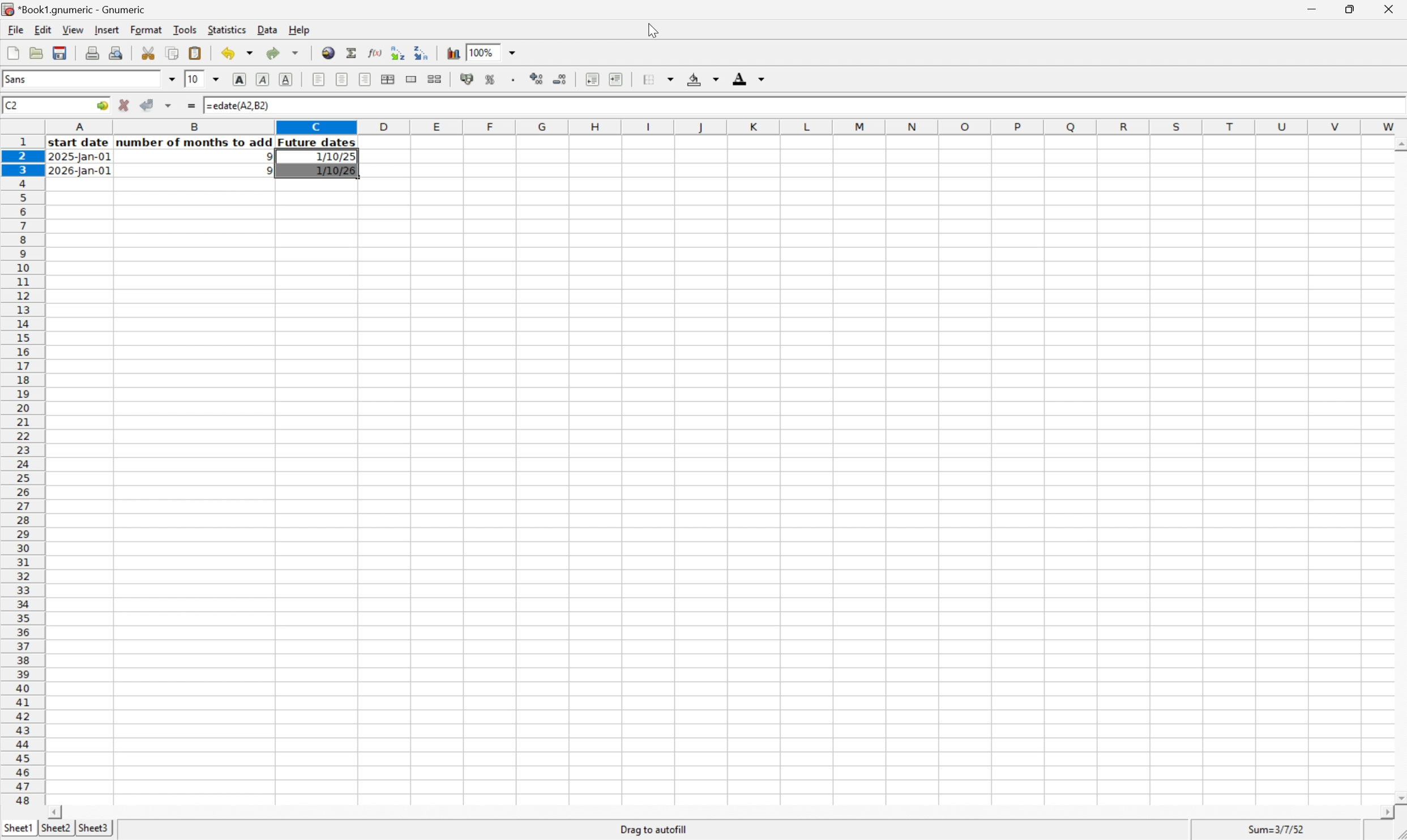 This screenshot has width=1407, height=840. What do you see at coordinates (126, 105) in the screenshot?
I see `Cancel changes` at bounding box center [126, 105].